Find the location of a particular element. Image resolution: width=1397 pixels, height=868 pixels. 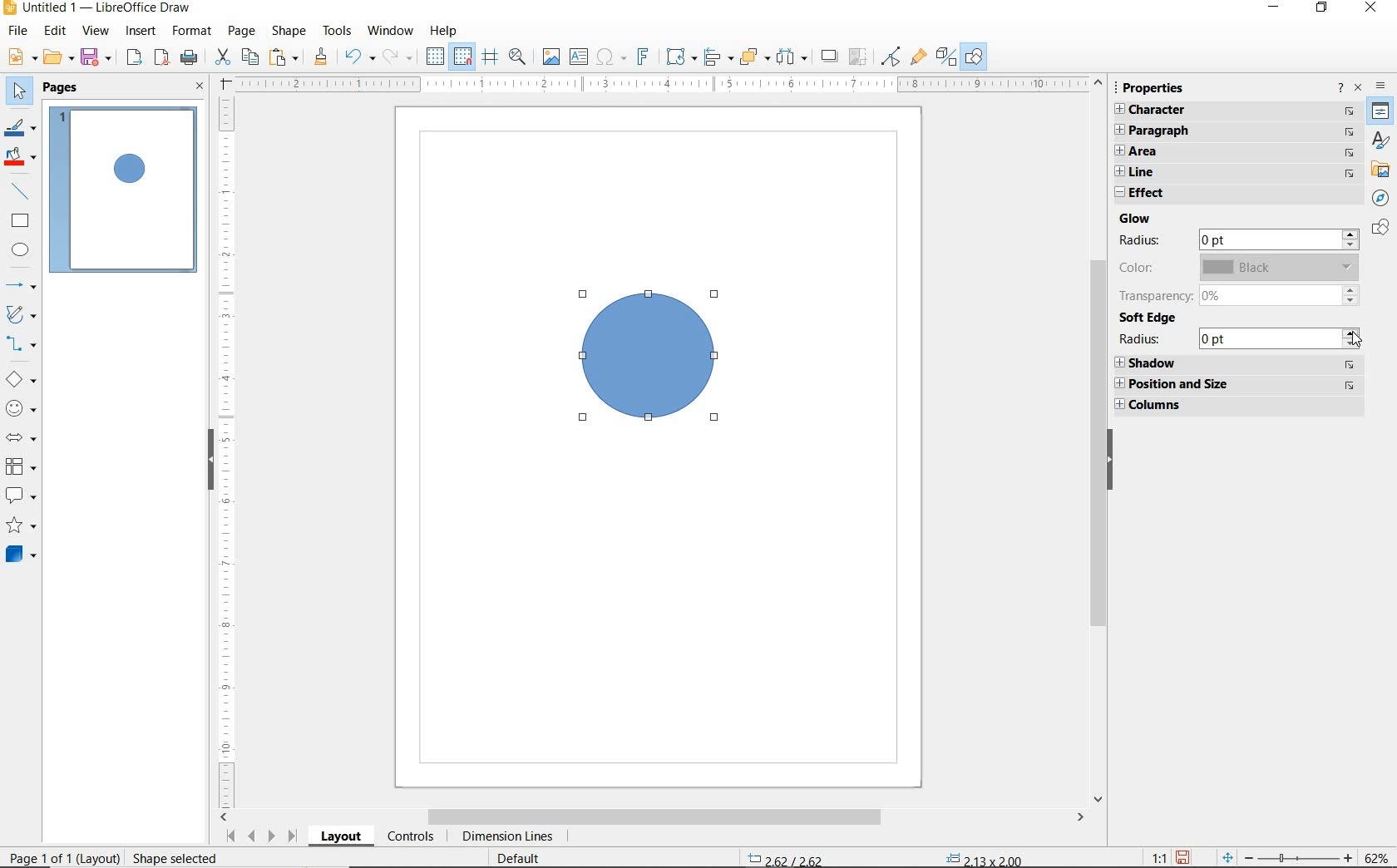

1:1 is located at coordinates (1159, 857).